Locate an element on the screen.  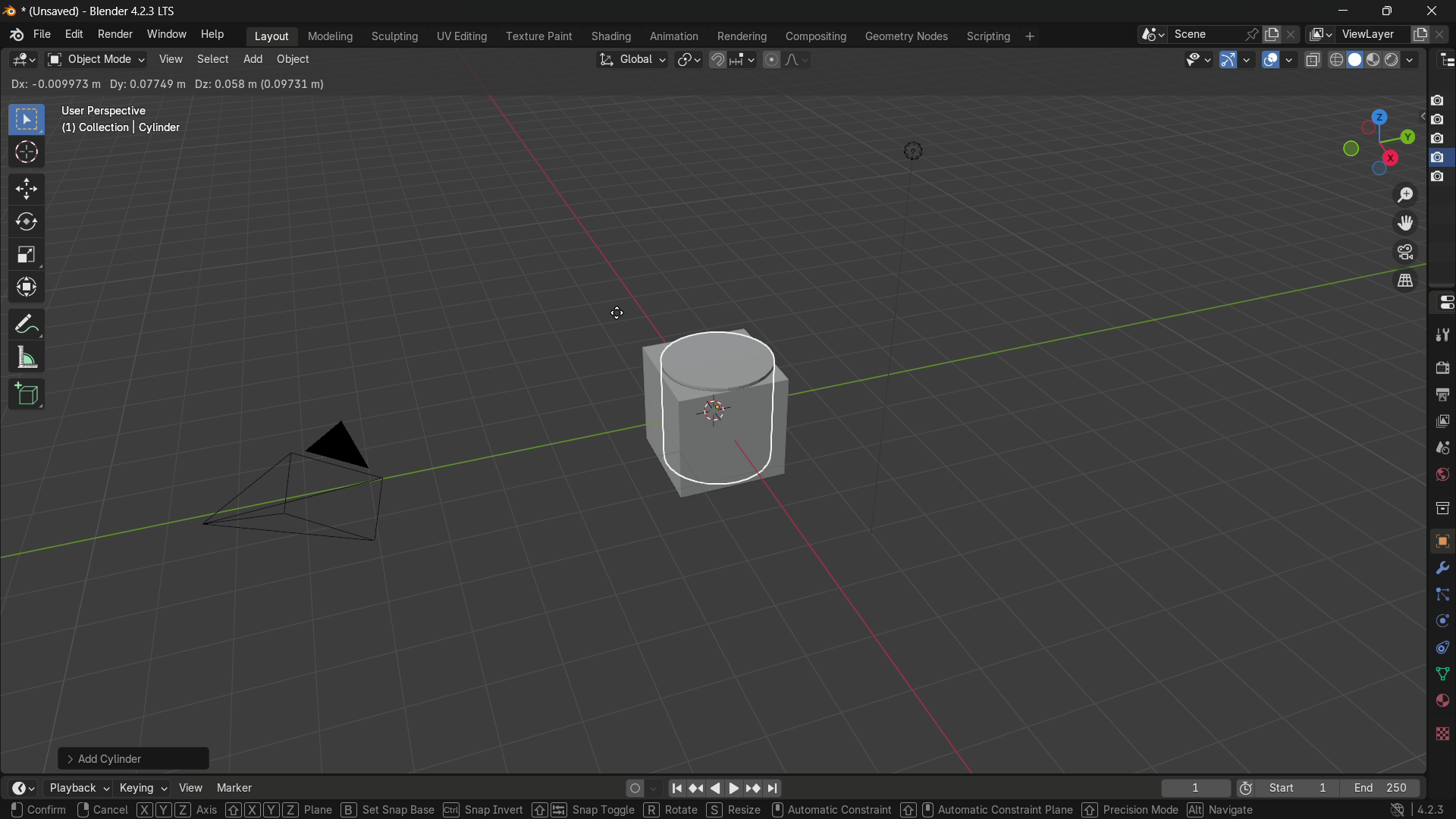
outliner is located at coordinates (1443, 60).